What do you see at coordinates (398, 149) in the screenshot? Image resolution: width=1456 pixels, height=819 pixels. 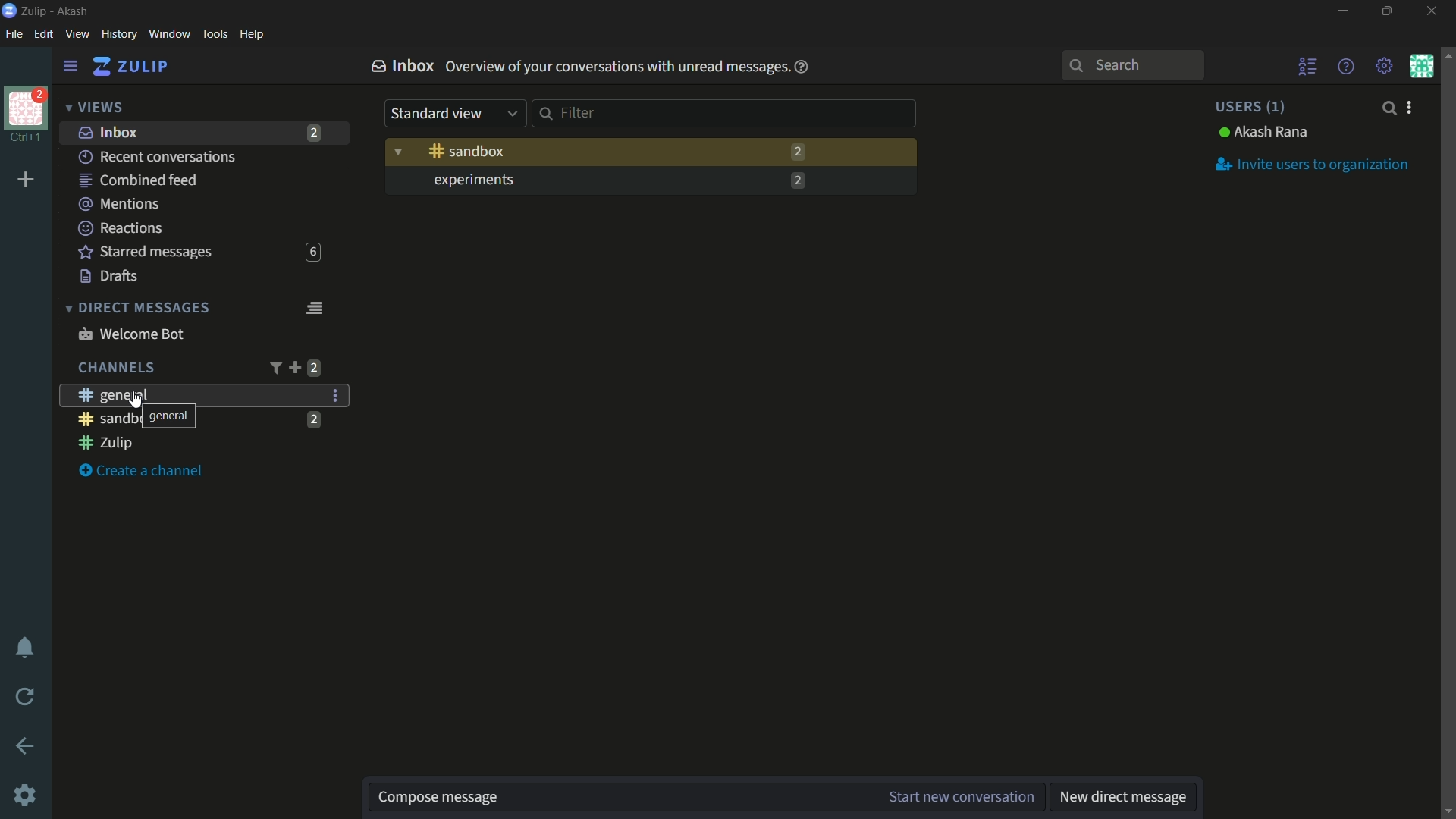 I see `expand` at bounding box center [398, 149].